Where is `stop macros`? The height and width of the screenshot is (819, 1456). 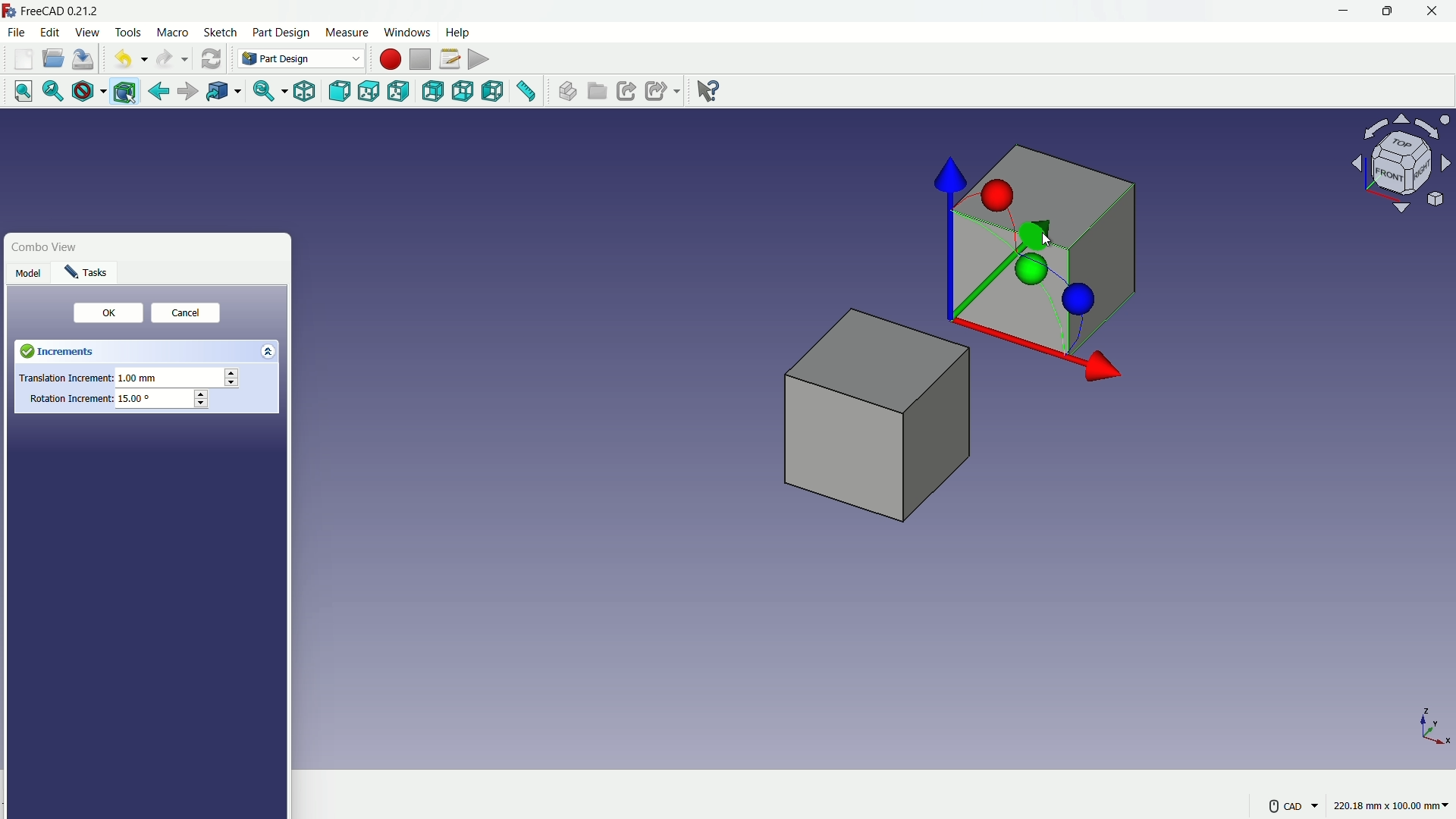 stop macros is located at coordinates (420, 60).